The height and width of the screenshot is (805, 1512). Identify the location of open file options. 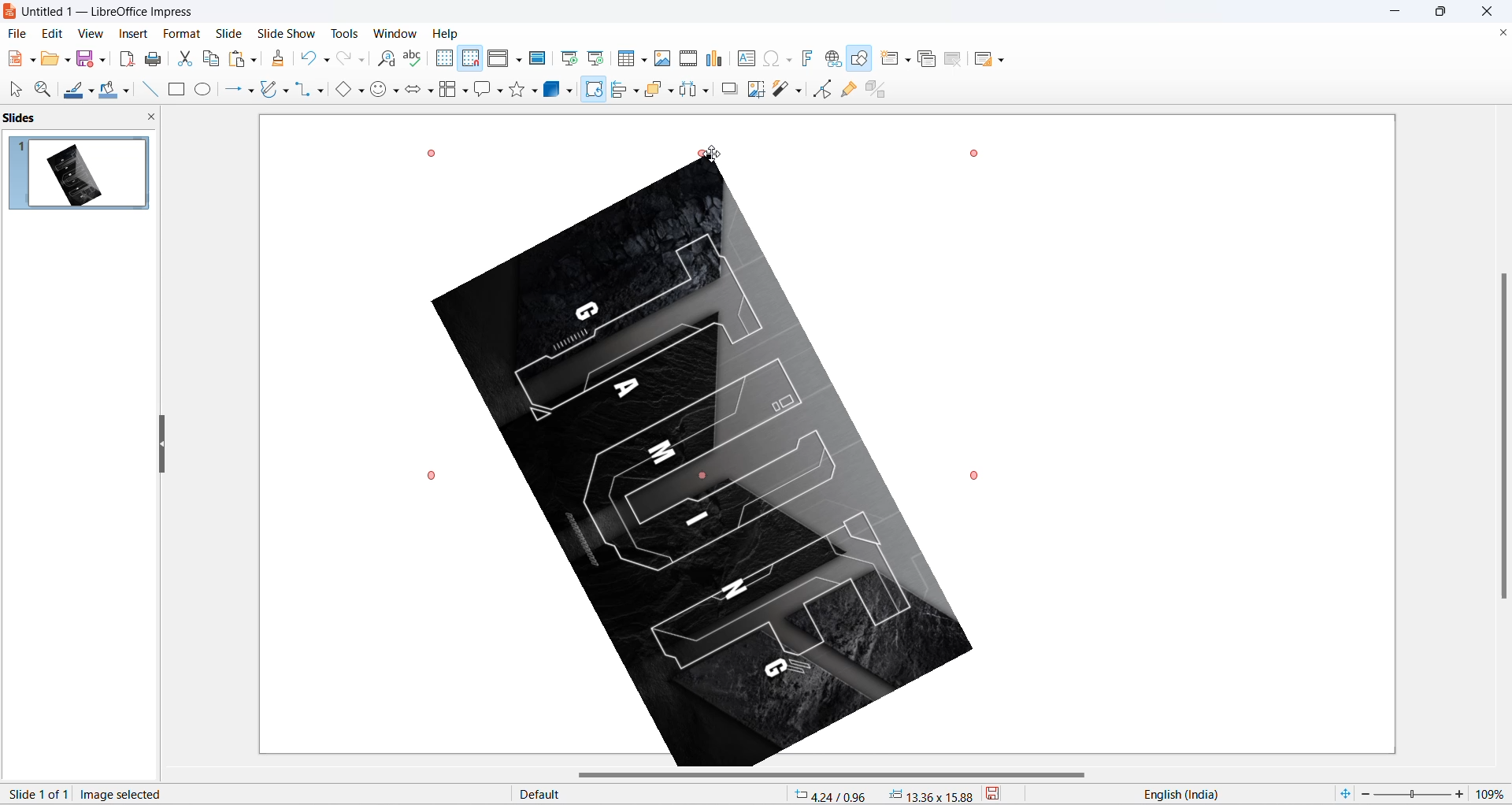
(68, 62).